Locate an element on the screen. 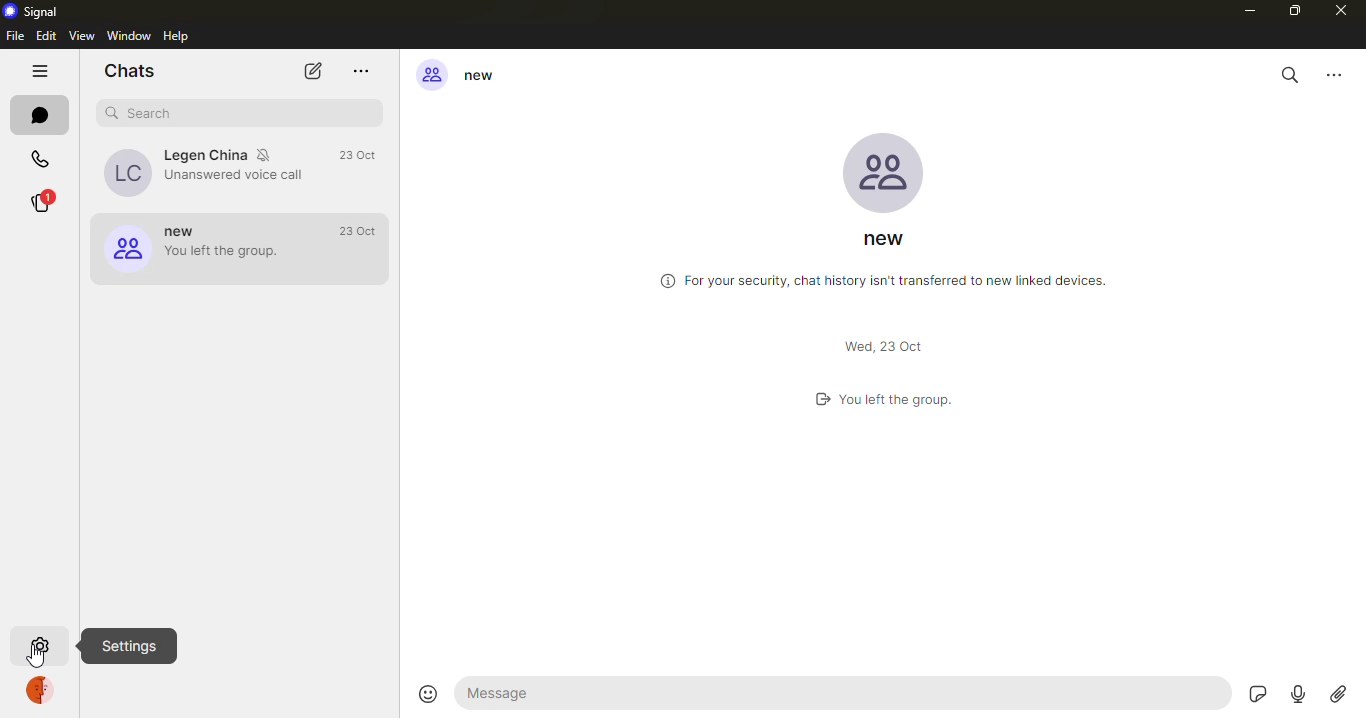 Image resolution: width=1366 pixels, height=718 pixels. search is located at coordinates (1290, 75).